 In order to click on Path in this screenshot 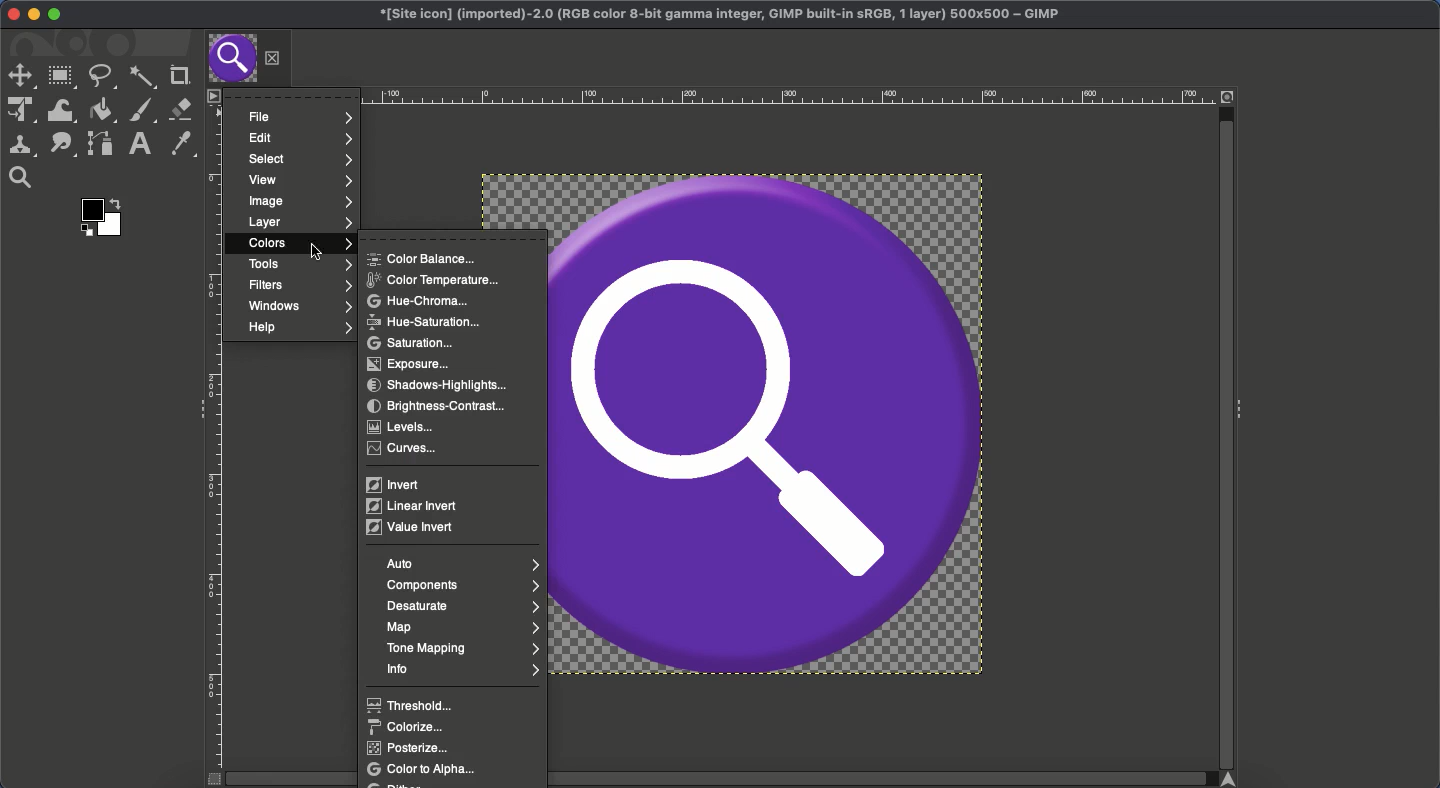, I will do `click(100, 143)`.